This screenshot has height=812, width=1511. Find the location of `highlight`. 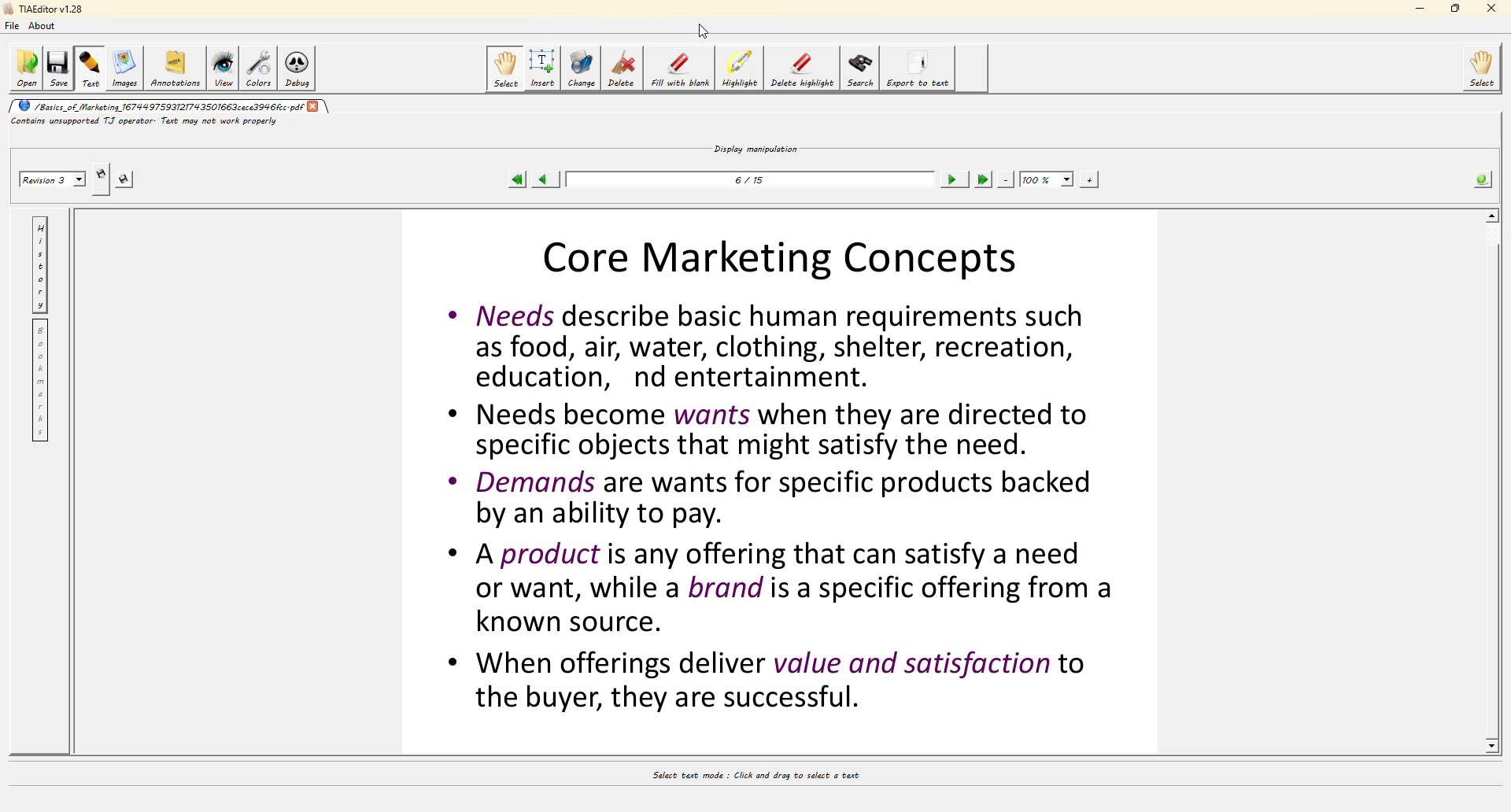

highlight is located at coordinates (740, 71).